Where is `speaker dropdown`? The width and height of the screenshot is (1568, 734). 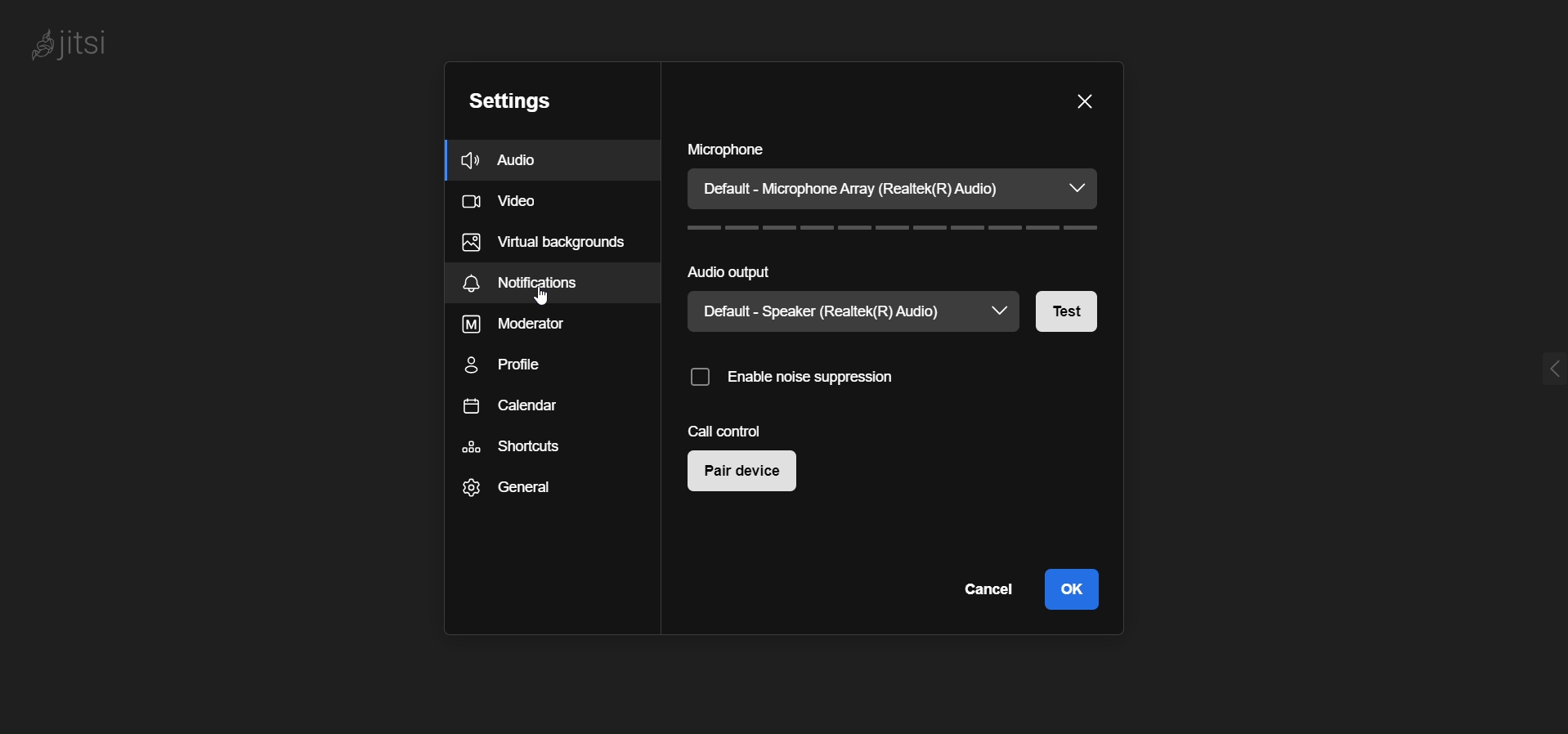
speaker dropdown is located at coordinates (1007, 310).